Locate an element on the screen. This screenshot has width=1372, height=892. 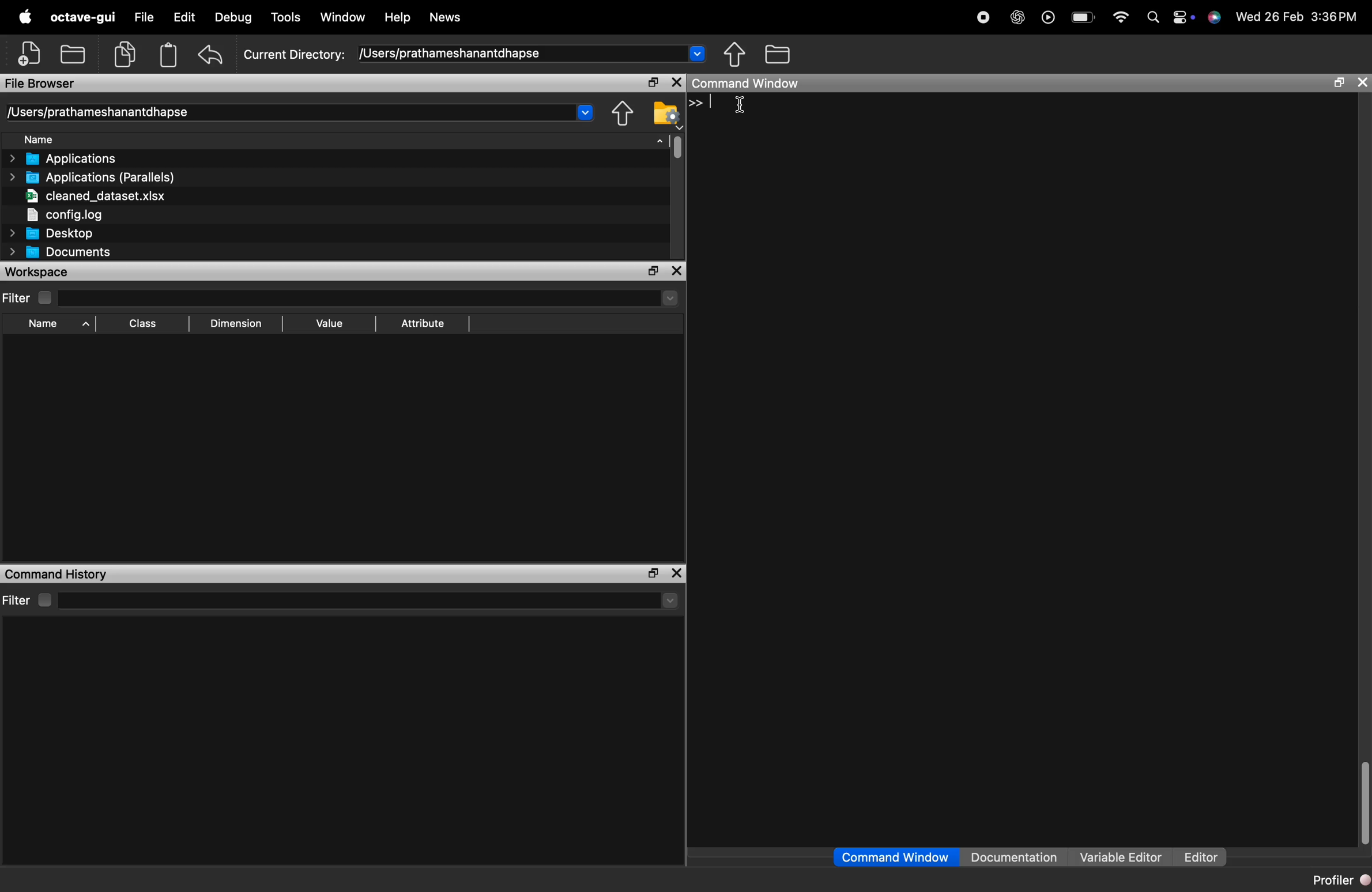
search is located at coordinates (1155, 18).